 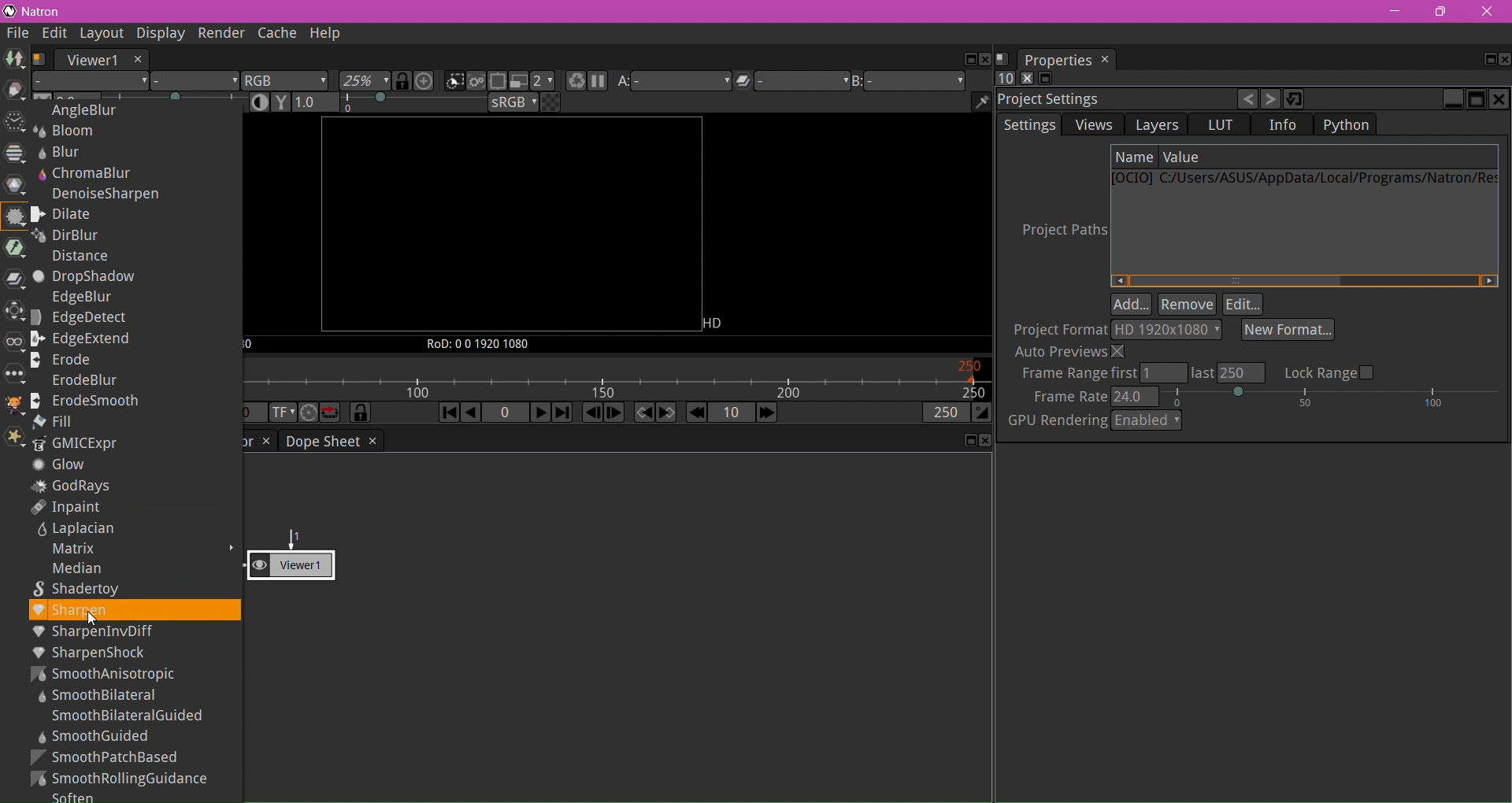 I want to click on Restore default values for this operator, so click(x=1295, y=98).